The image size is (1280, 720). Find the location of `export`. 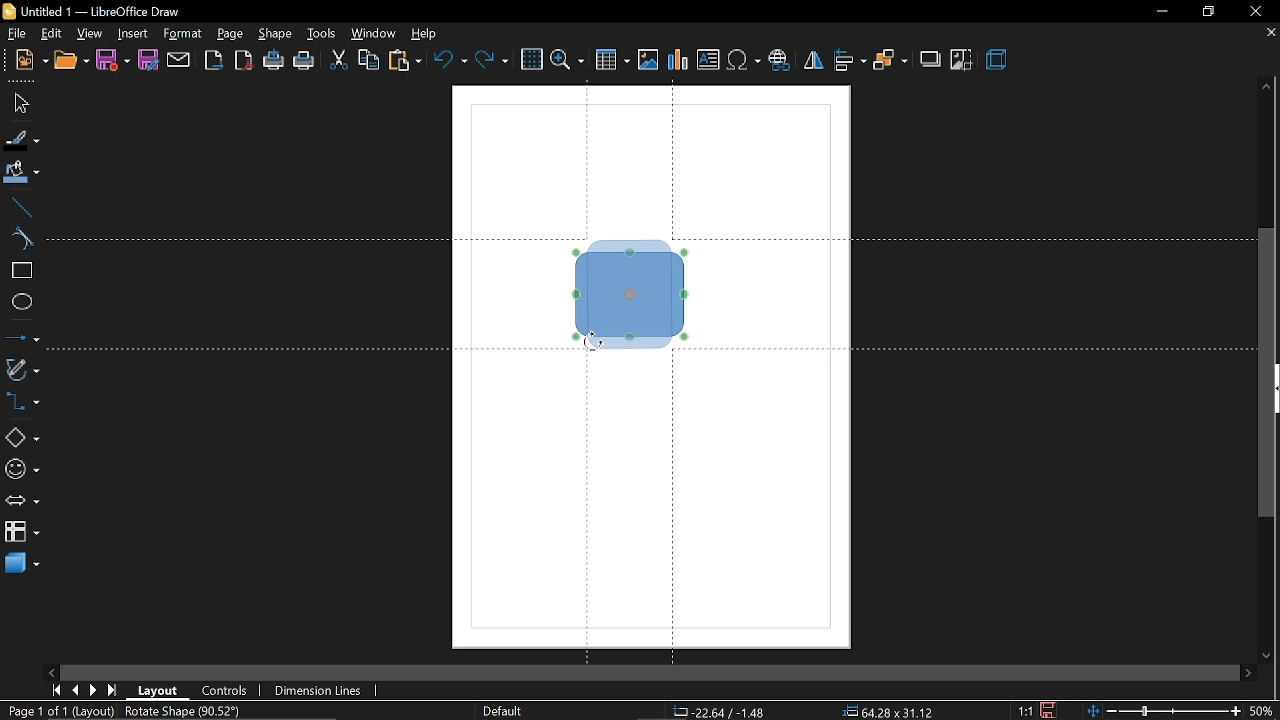

export is located at coordinates (213, 60).